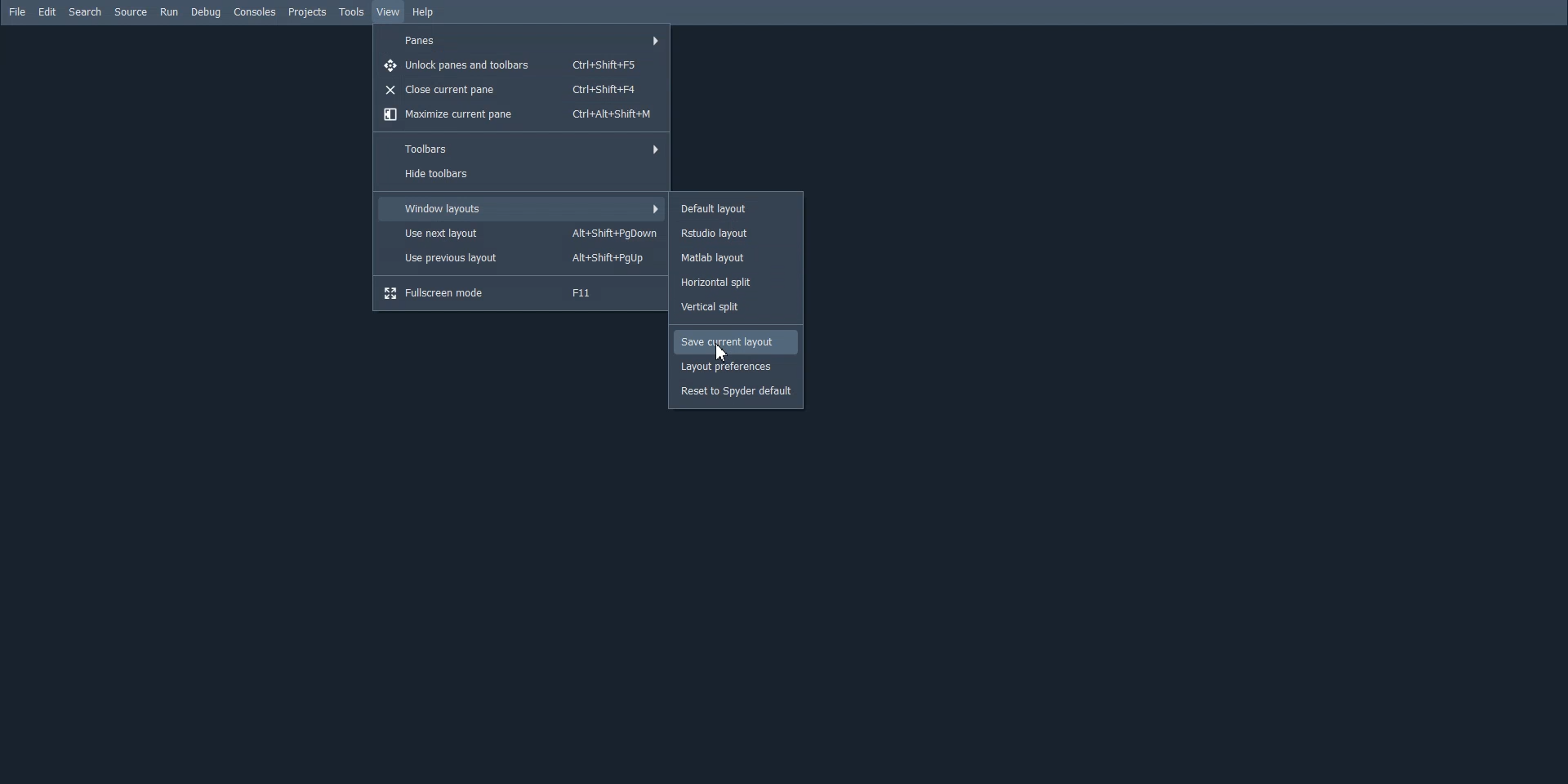 Image resolution: width=1568 pixels, height=784 pixels. I want to click on Rstudio layout, so click(736, 234).